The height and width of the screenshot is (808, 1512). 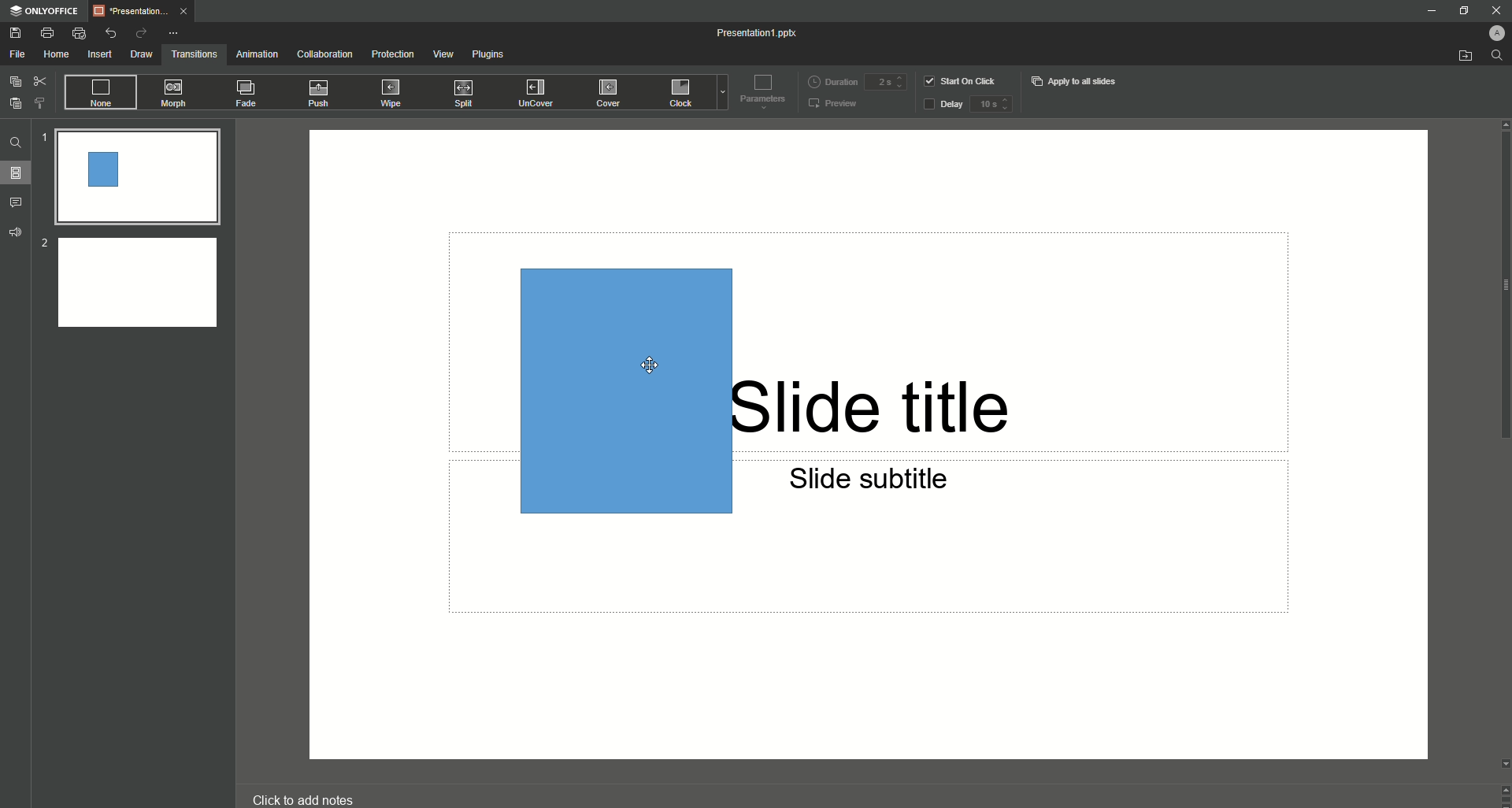 What do you see at coordinates (443, 54) in the screenshot?
I see `View` at bounding box center [443, 54].